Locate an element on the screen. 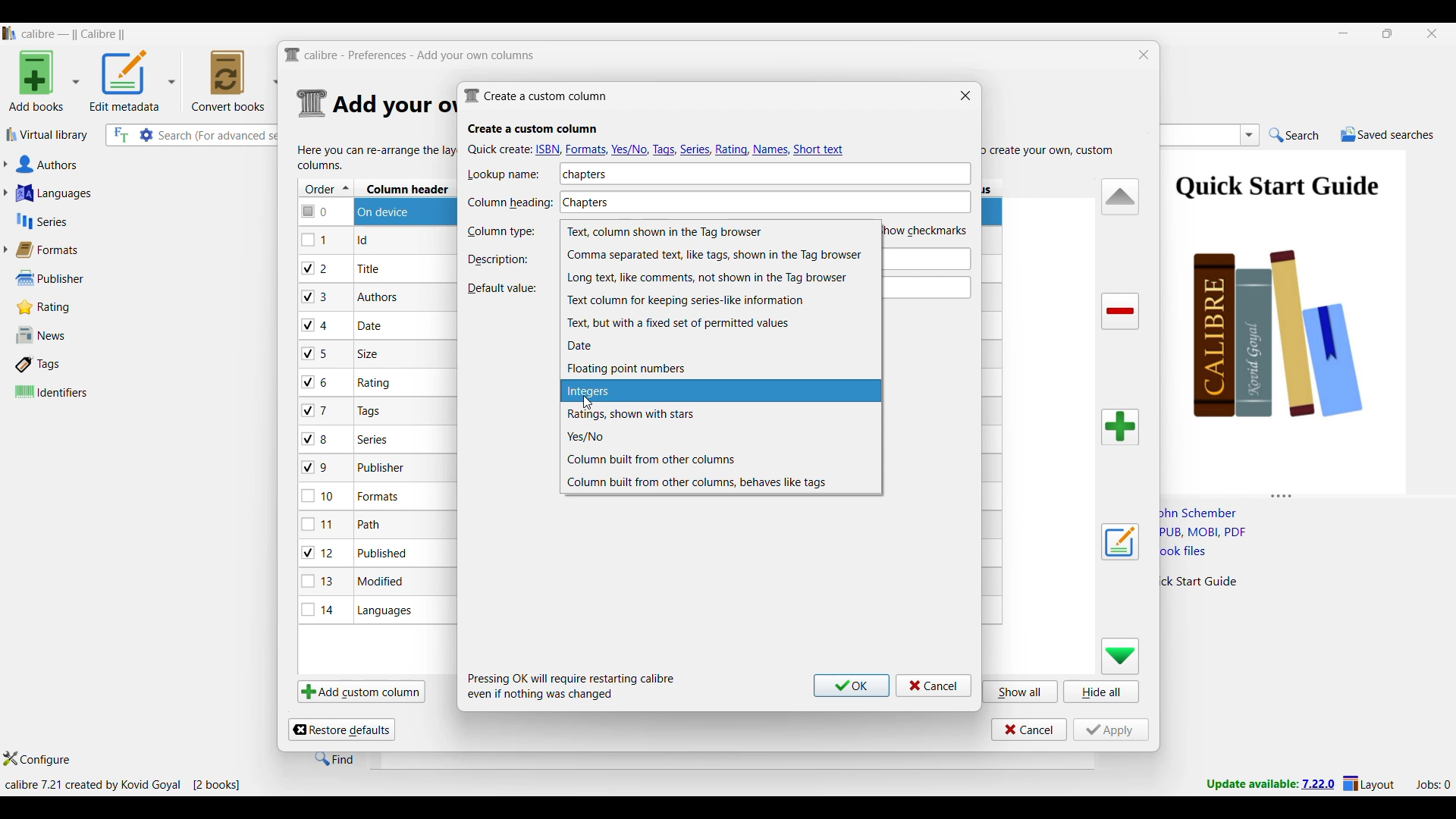 This screenshot has width=1456, height=819. Column built from other columns is located at coordinates (720, 460).